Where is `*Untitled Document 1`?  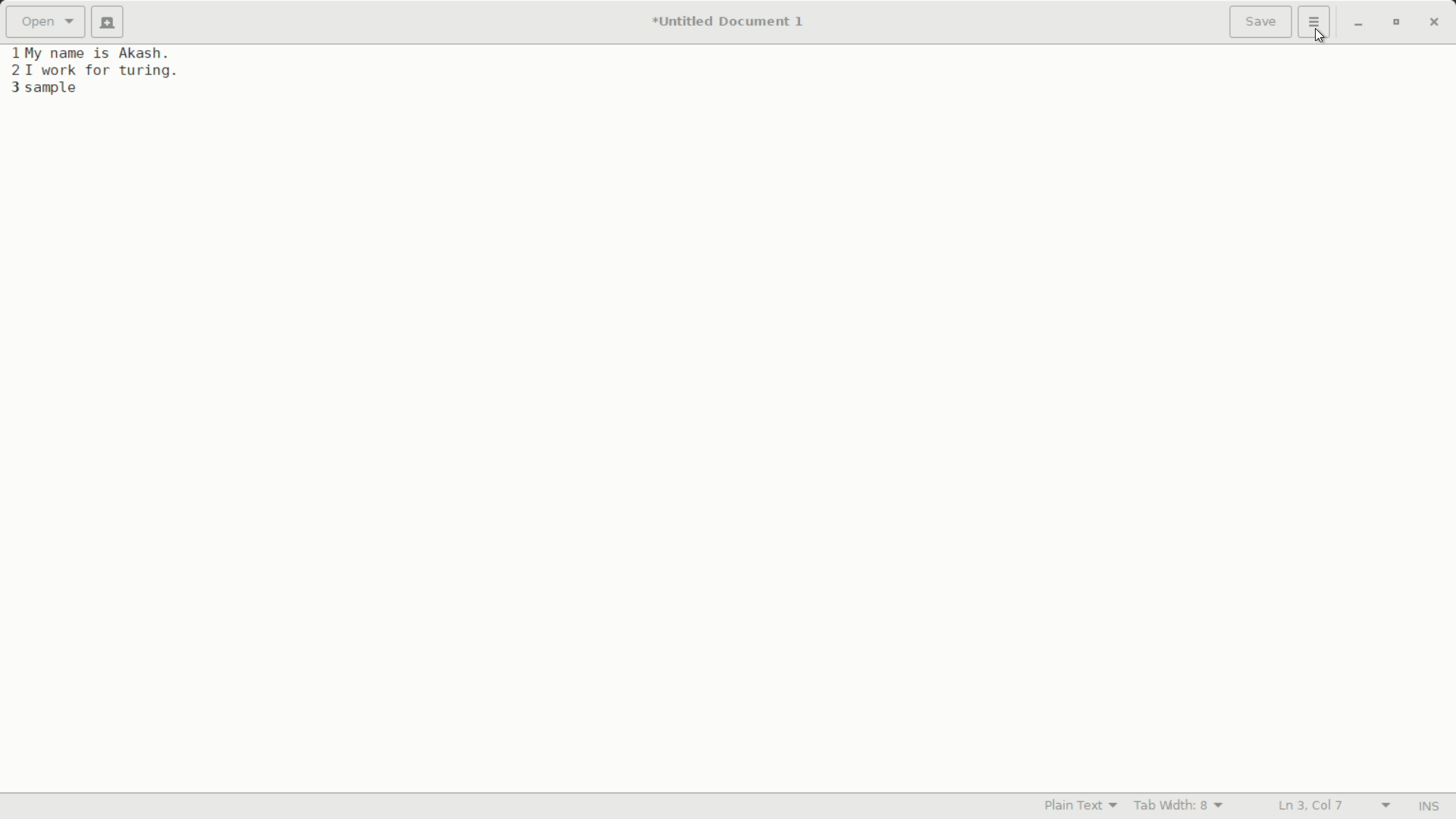 *Untitled Document 1 is located at coordinates (728, 24).